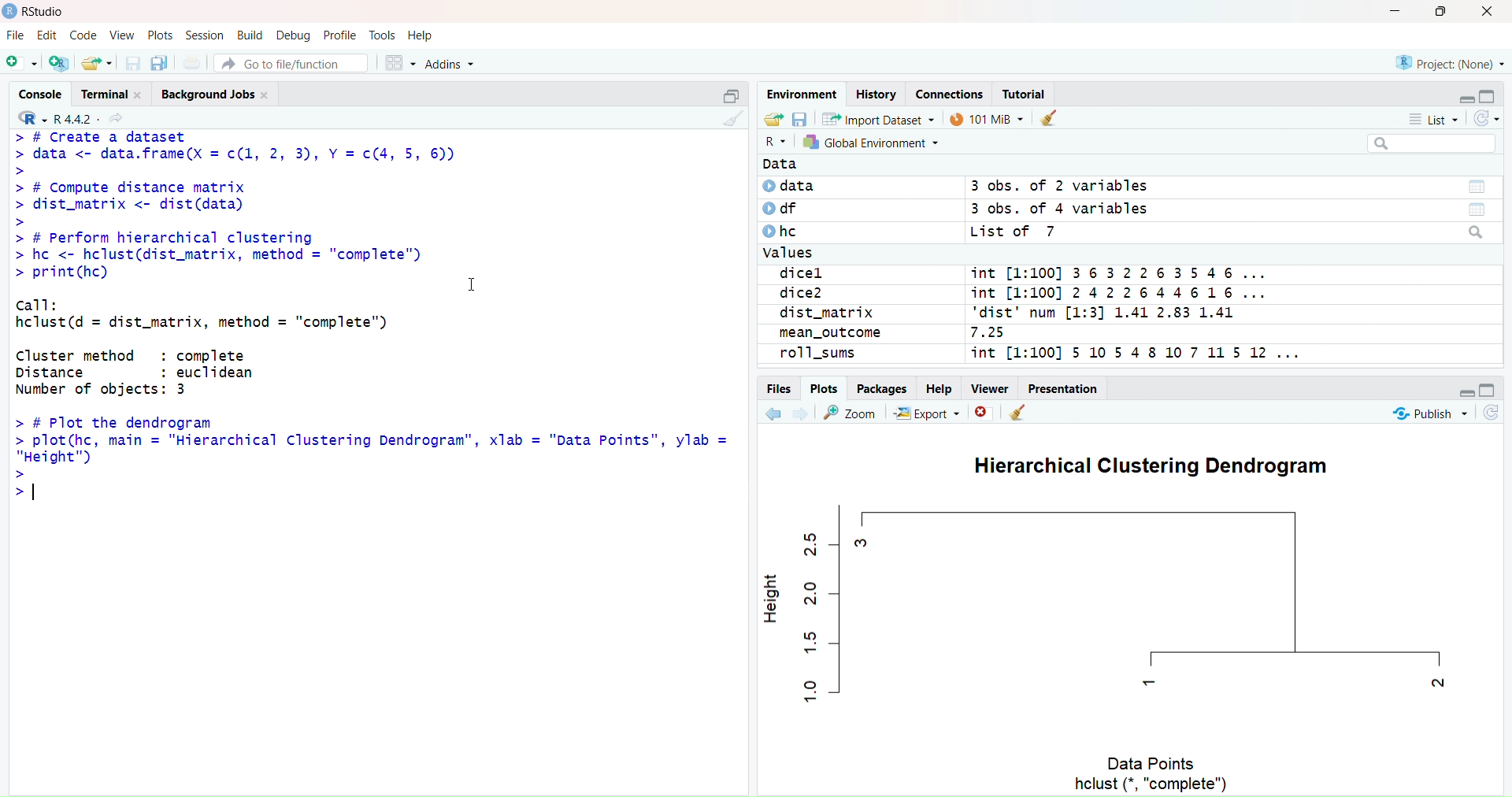 Image resolution: width=1512 pixels, height=797 pixels. Describe the element at coordinates (930, 413) in the screenshot. I see `Export` at that location.